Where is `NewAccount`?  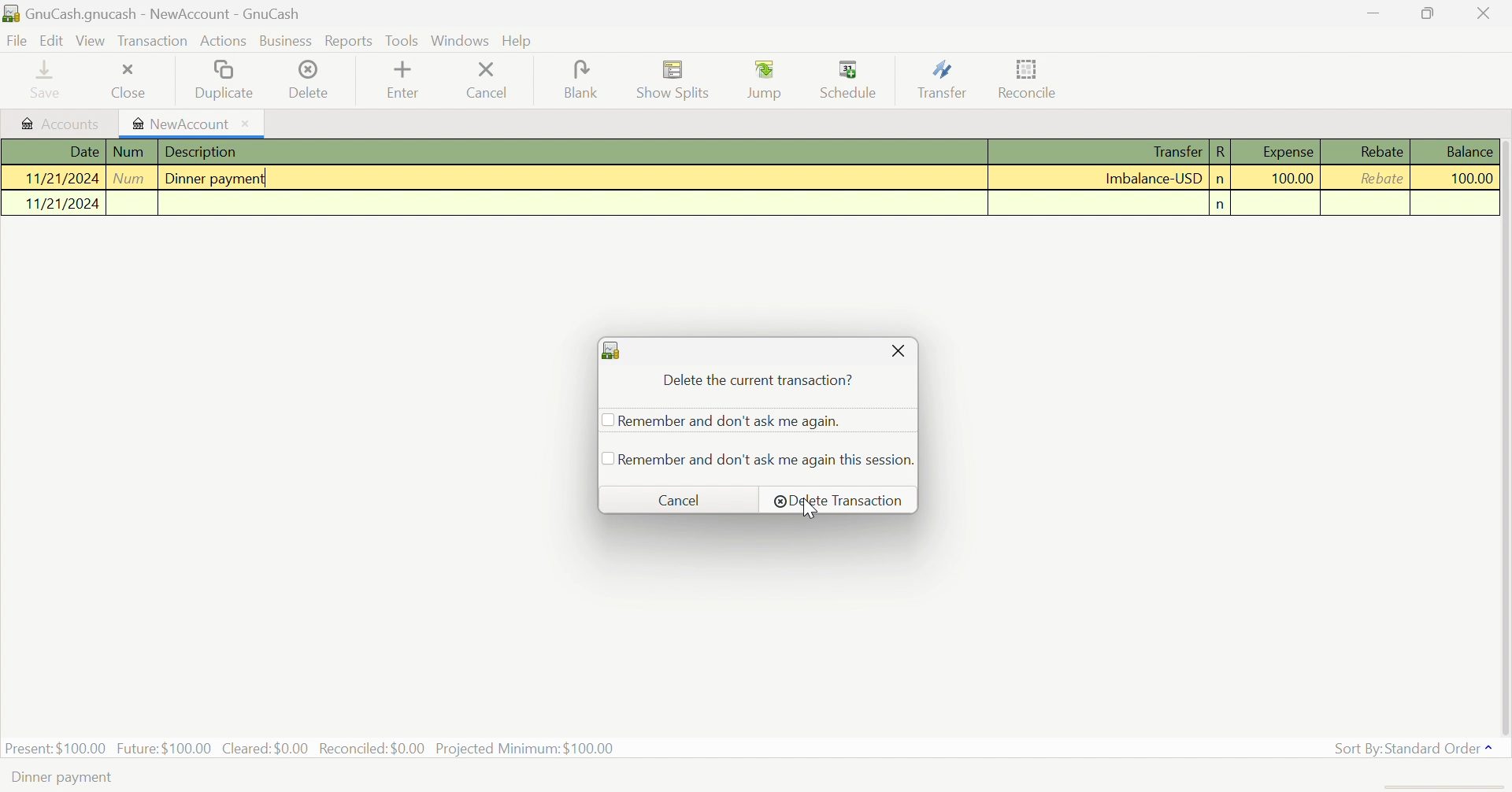 NewAccount is located at coordinates (183, 124).